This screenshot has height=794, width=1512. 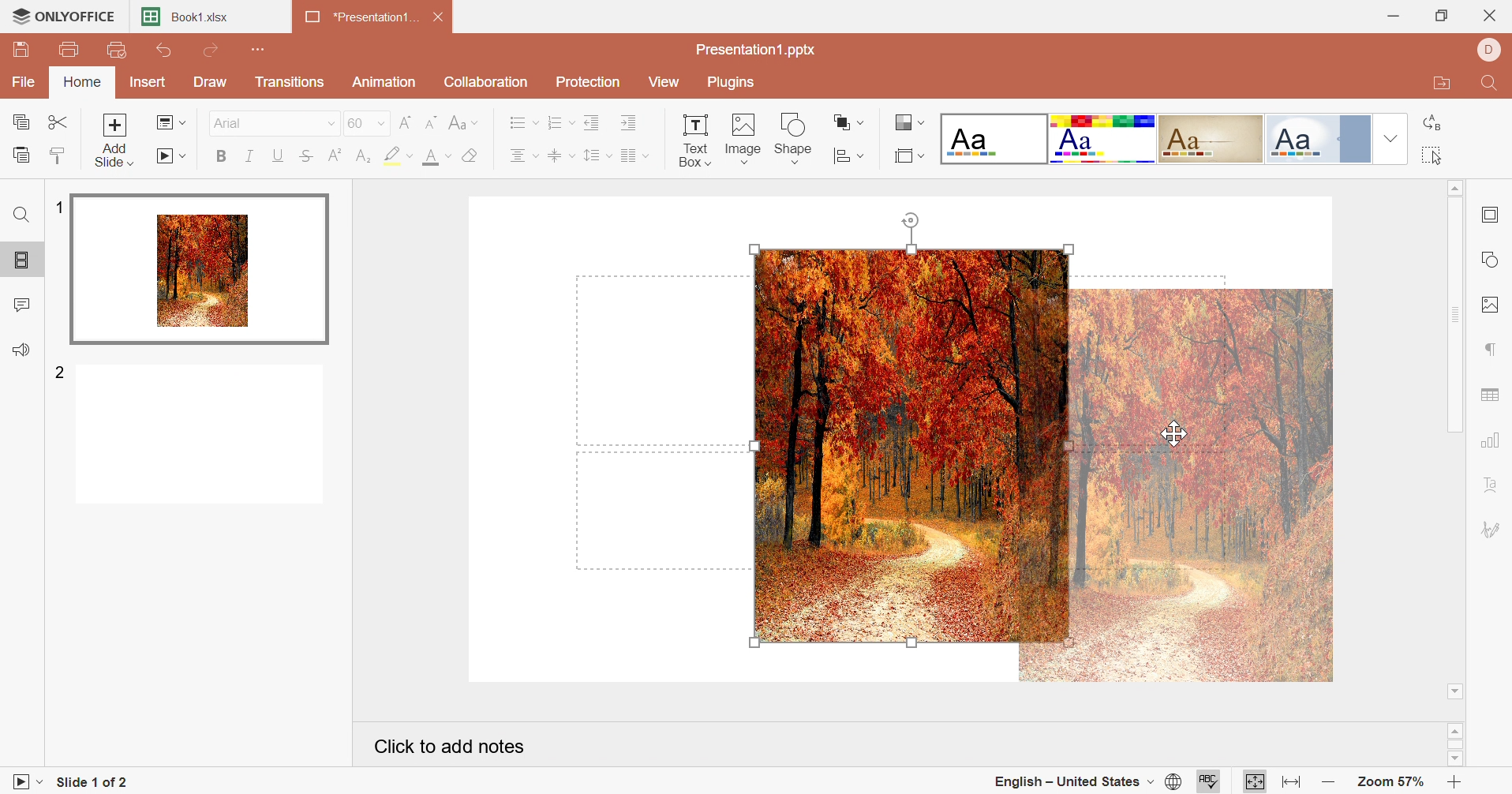 I want to click on Select all, so click(x=1432, y=158).